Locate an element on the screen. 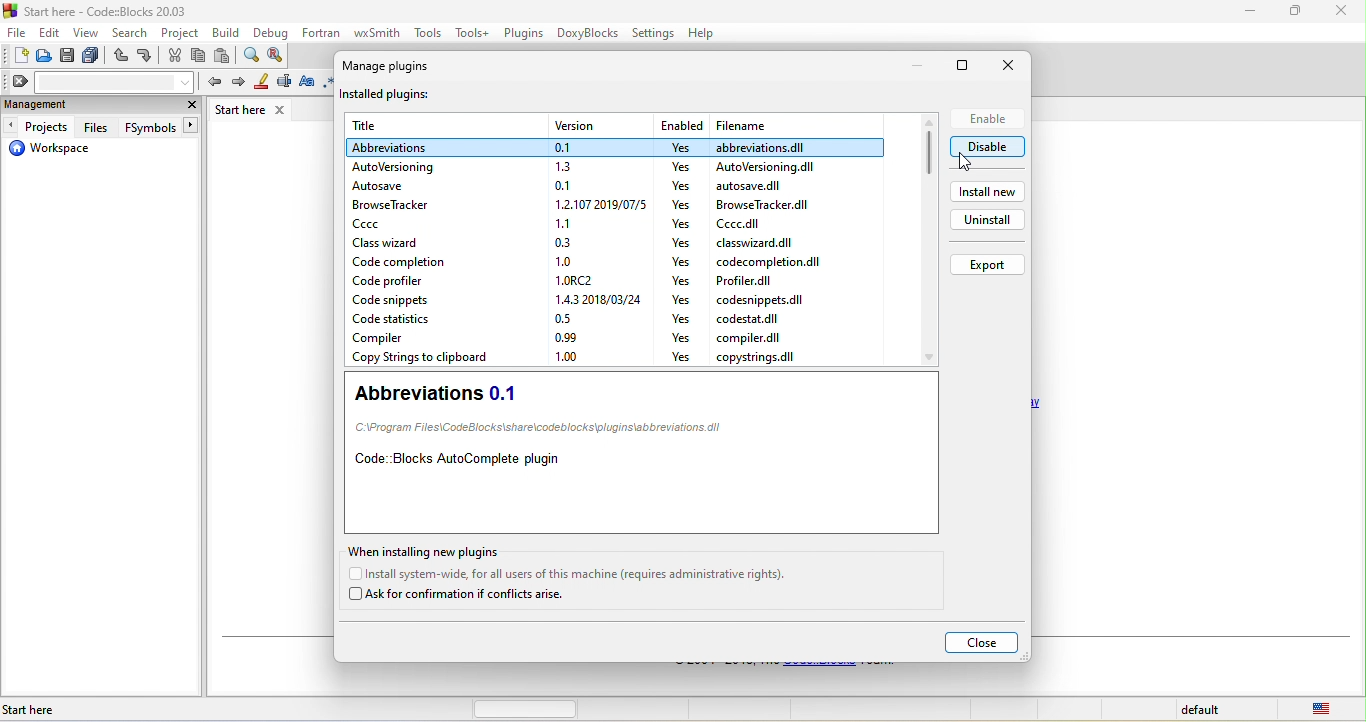 Image resolution: width=1366 pixels, height=722 pixels. clear is located at coordinates (100, 81).